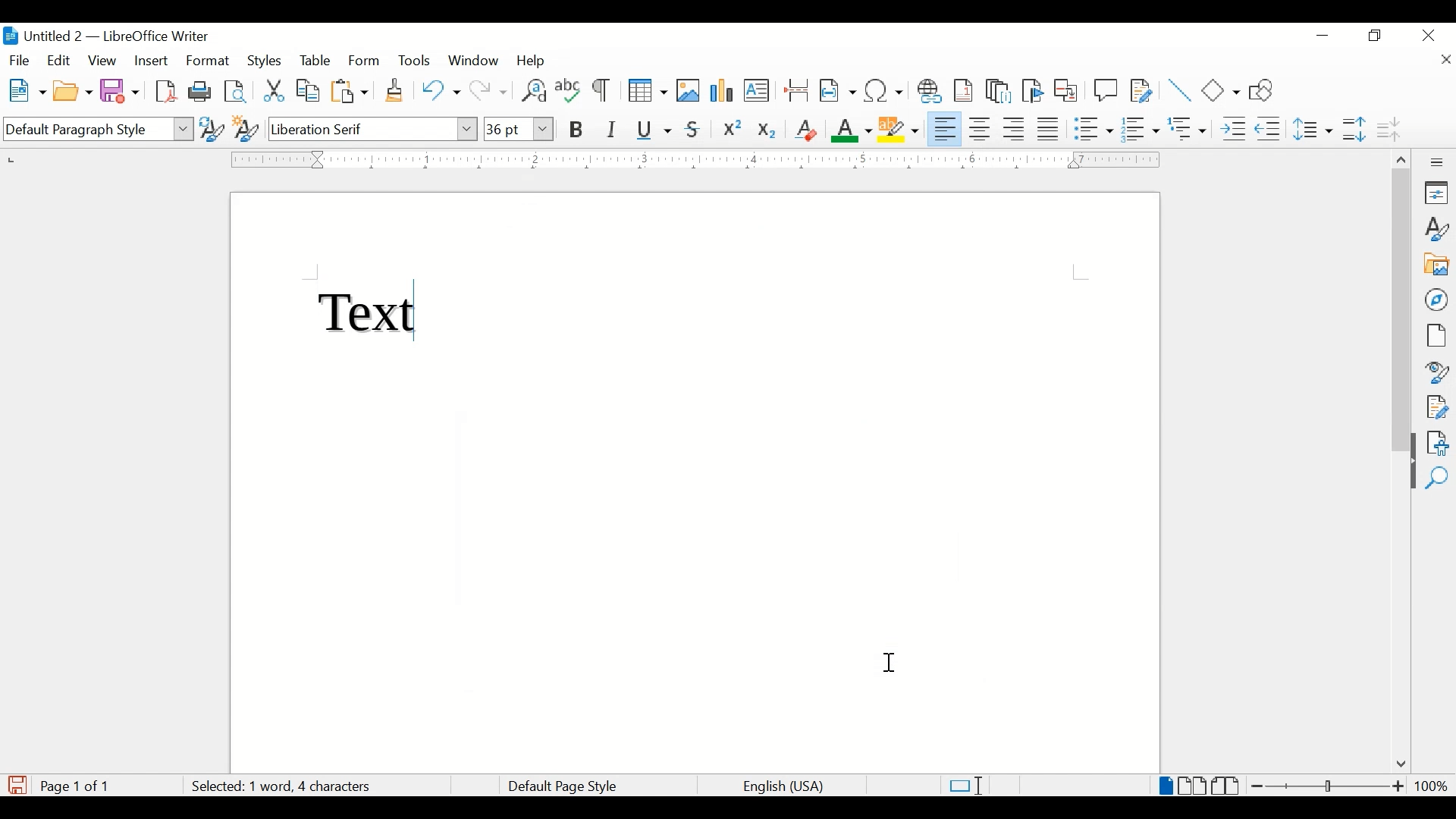 This screenshot has height=819, width=1456. Describe the element at coordinates (121, 90) in the screenshot. I see `save ` at that location.